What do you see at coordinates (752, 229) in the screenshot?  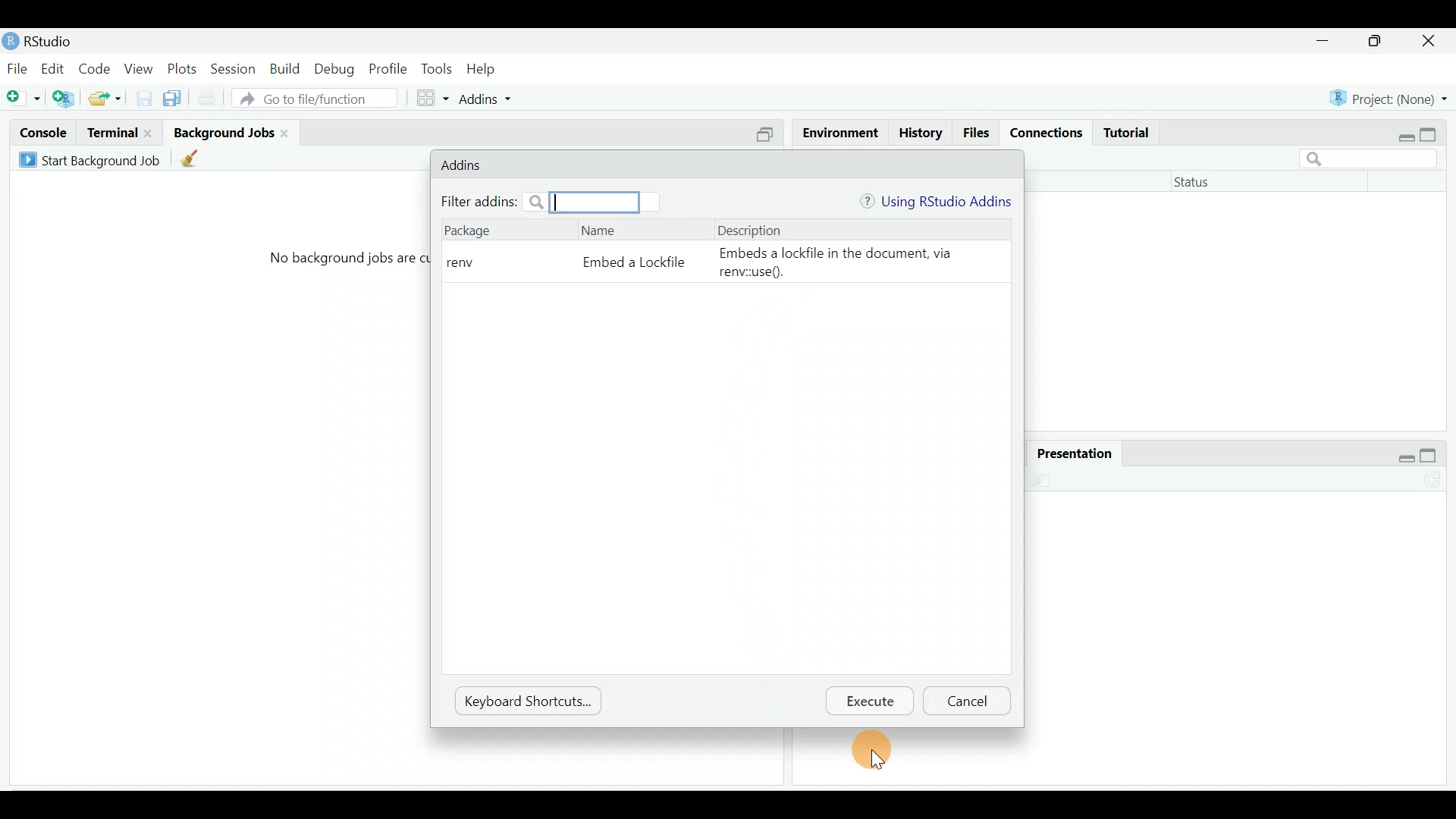 I see `Description` at bounding box center [752, 229].